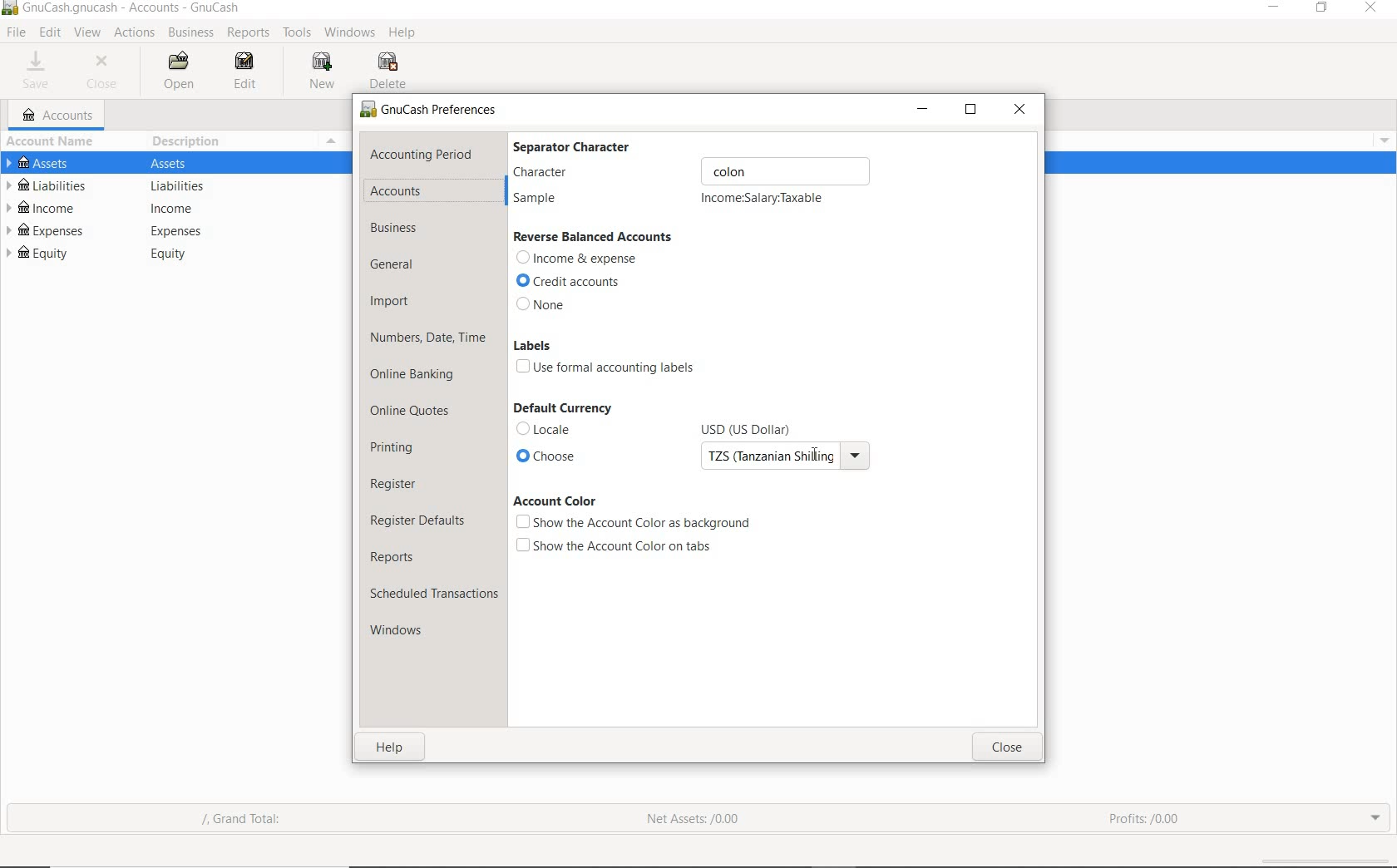  I want to click on OPEN, so click(182, 72).